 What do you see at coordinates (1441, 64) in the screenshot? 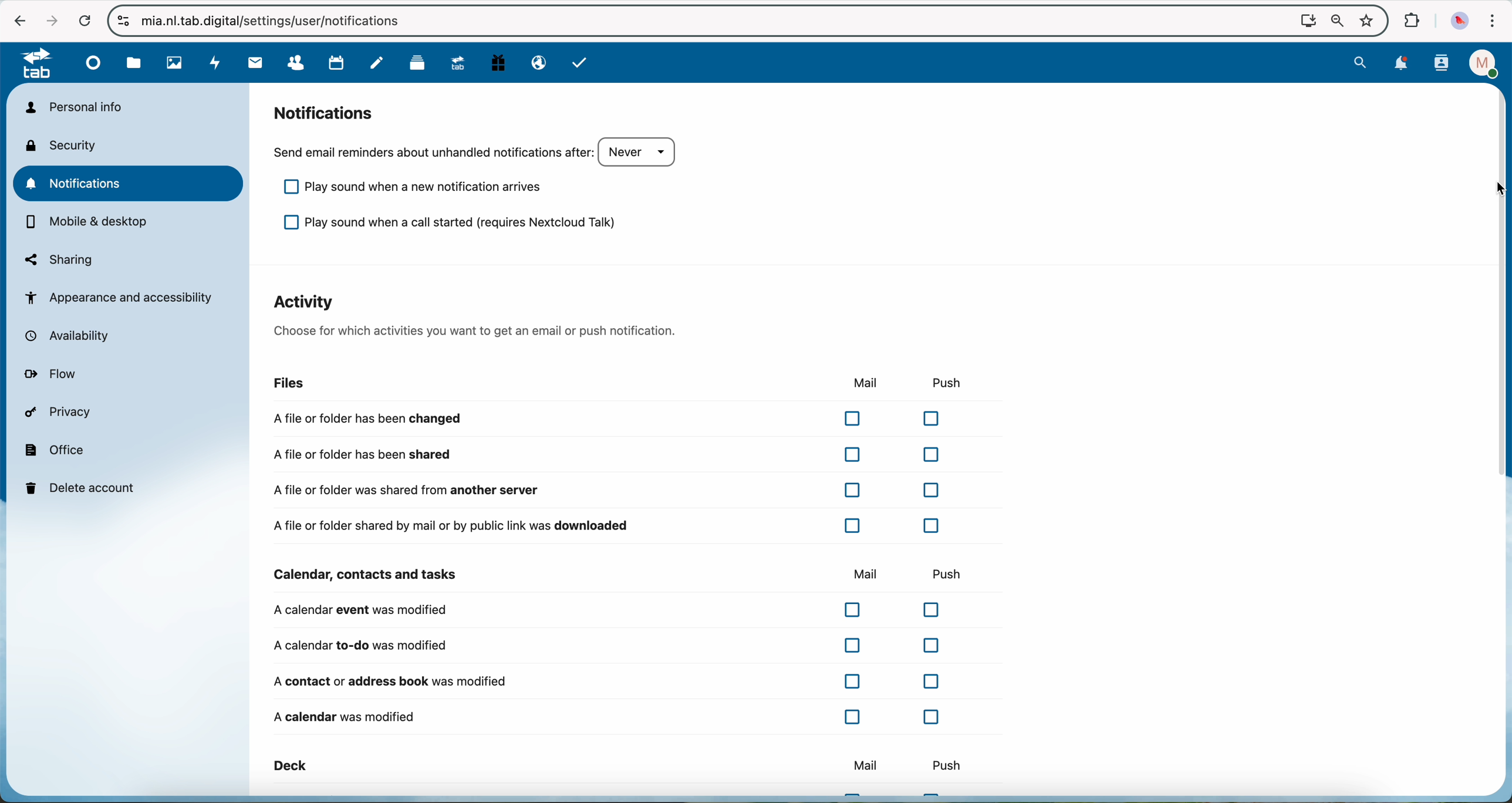
I see `contacts` at bounding box center [1441, 64].